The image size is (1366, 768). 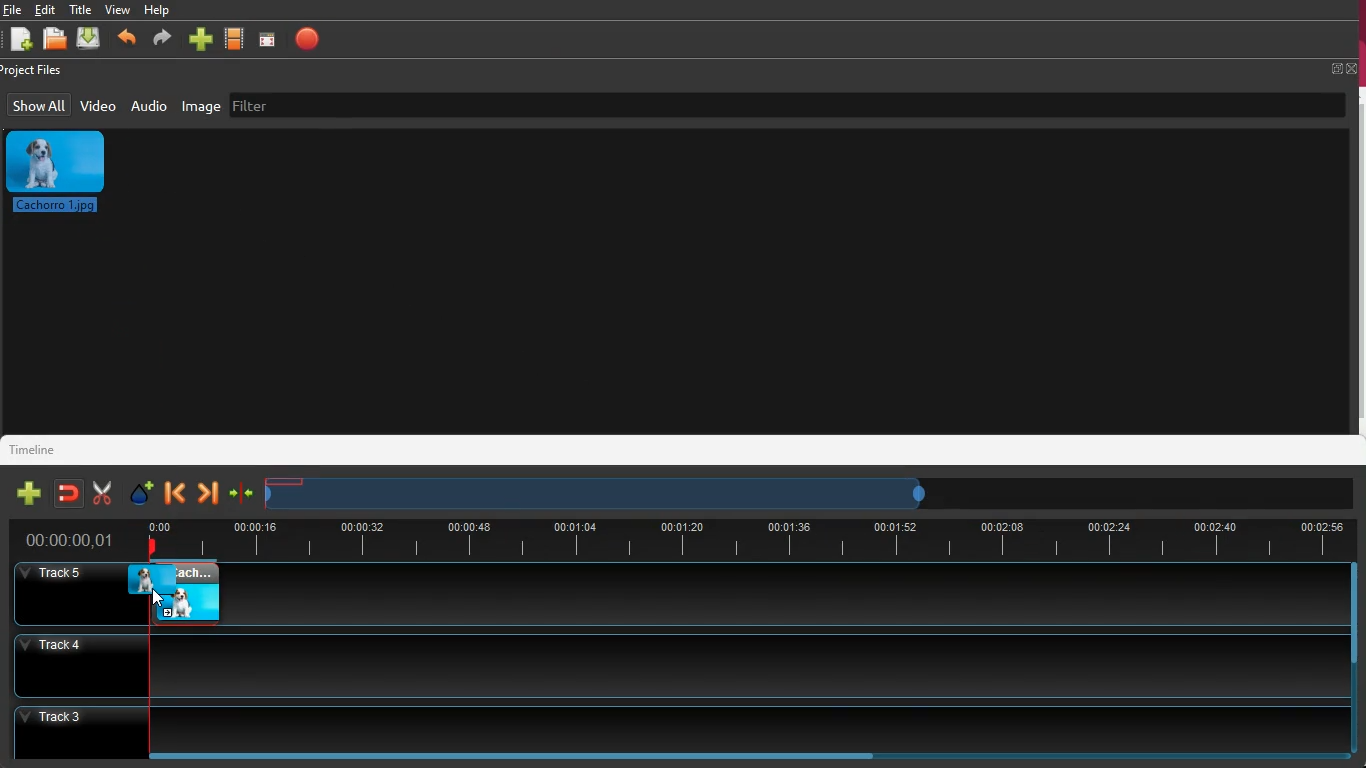 What do you see at coordinates (781, 595) in the screenshot?
I see `track5` at bounding box center [781, 595].